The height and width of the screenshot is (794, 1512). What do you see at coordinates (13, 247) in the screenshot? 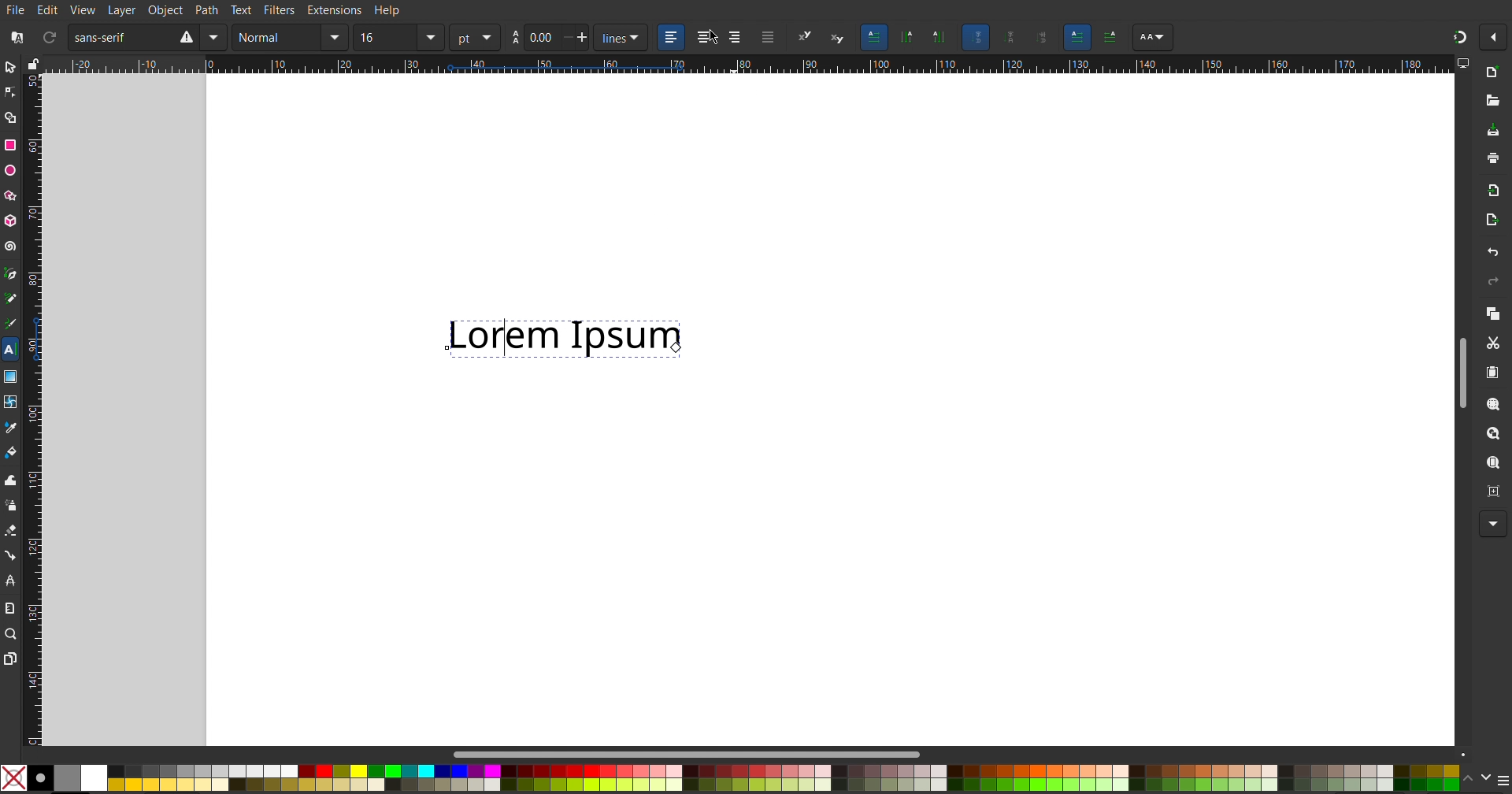
I see `Spiral` at bounding box center [13, 247].